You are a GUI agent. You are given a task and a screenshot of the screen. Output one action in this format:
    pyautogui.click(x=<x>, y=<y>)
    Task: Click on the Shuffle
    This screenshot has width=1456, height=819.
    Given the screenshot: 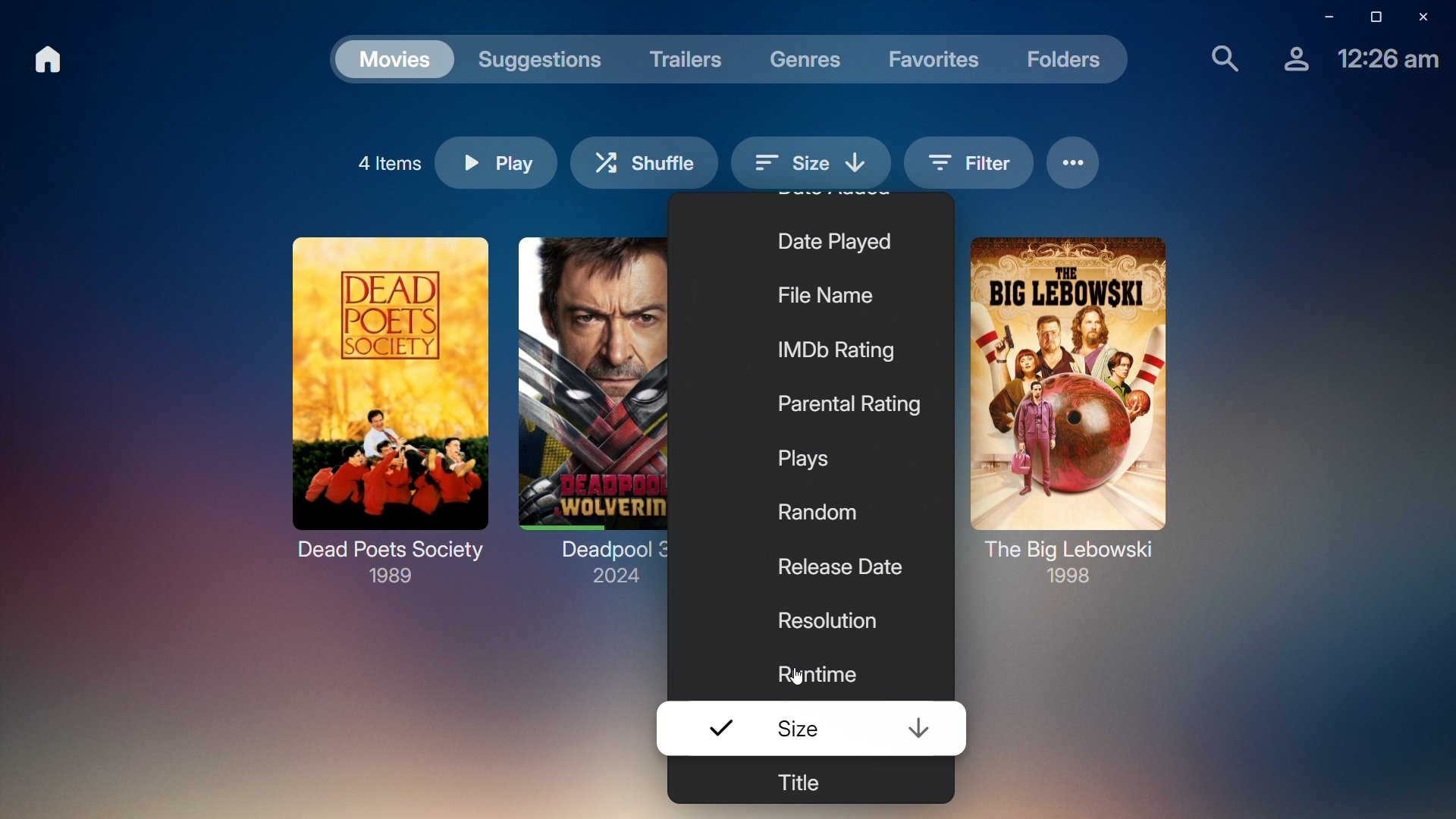 What is the action you would take?
    pyautogui.click(x=646, y=158)
    